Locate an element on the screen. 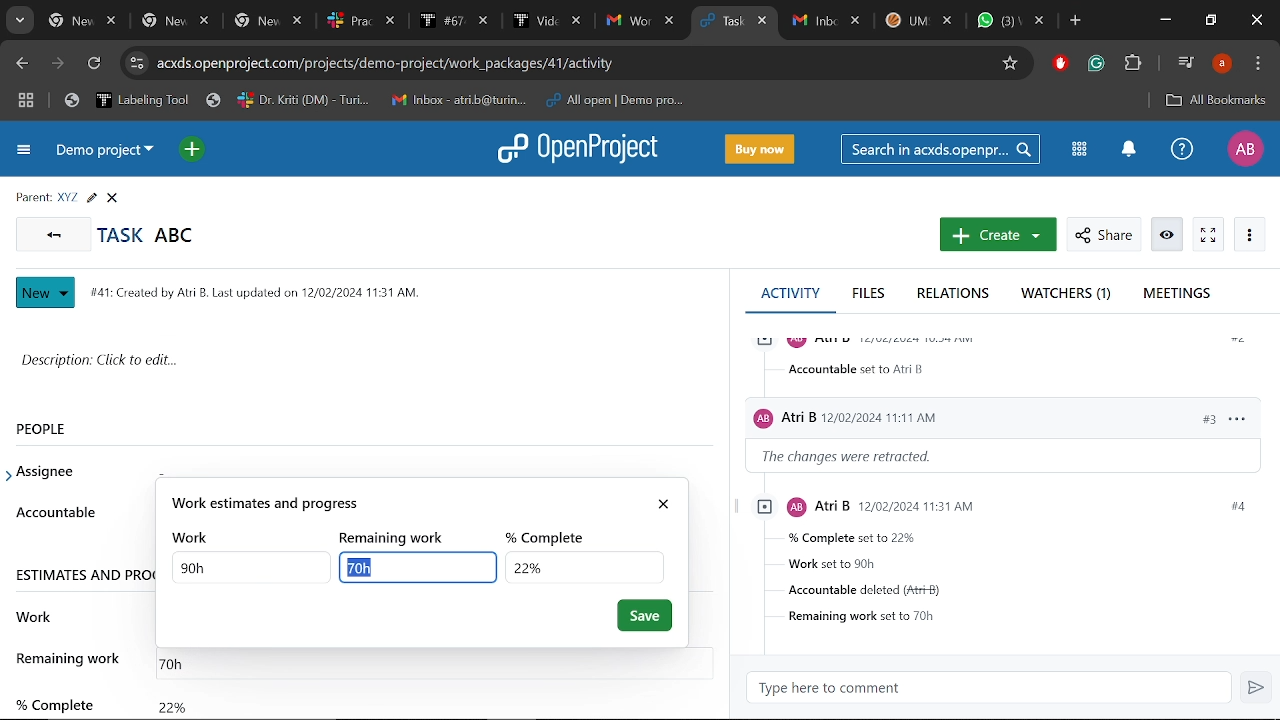  work estimate and progress is located at coordinates (403, 503).